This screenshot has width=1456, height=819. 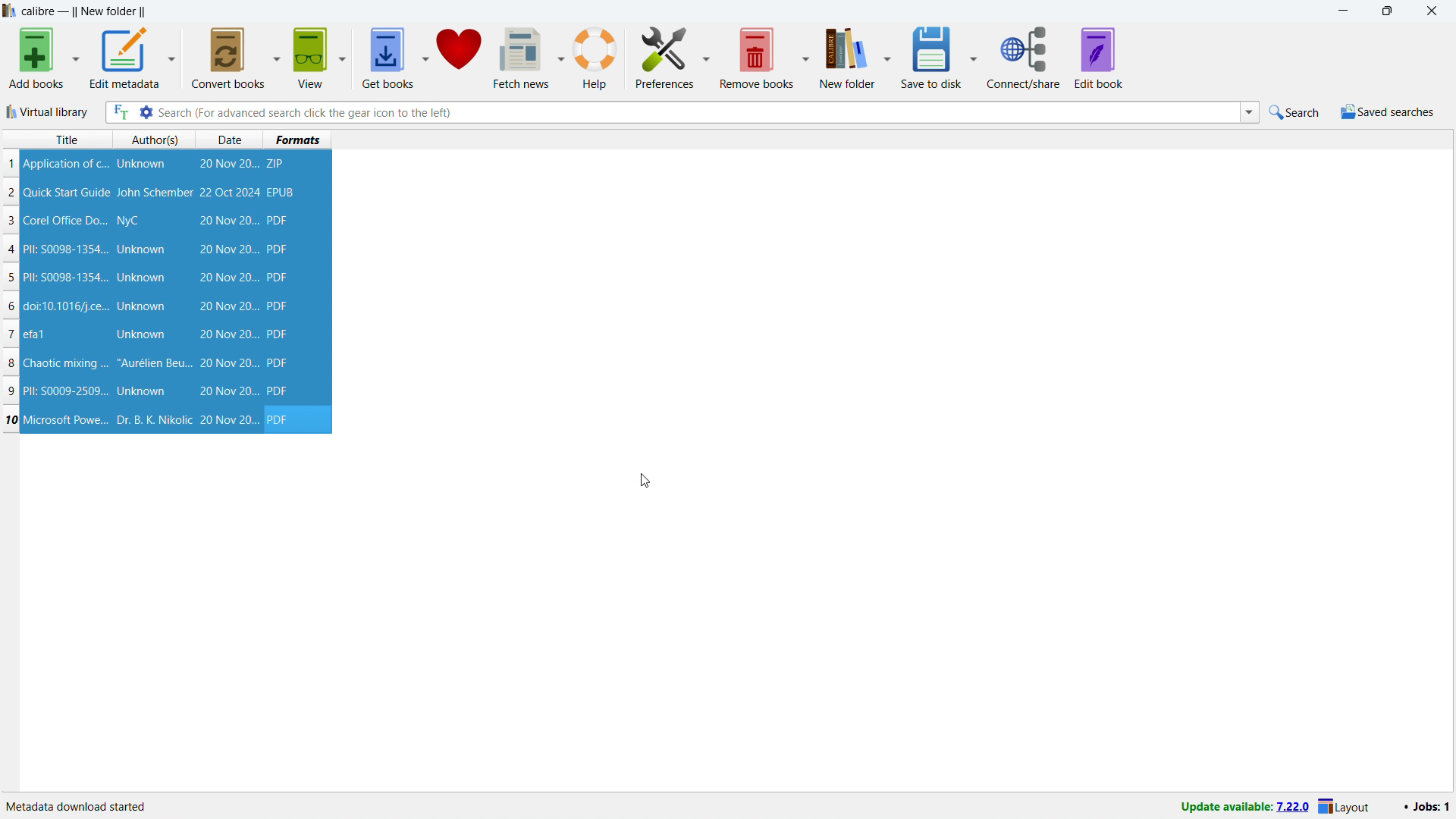 What do you see at coordinates (154, 365) in the screenshot?
I see `"Aurelien Beu...` at bounding box center [154, 365].